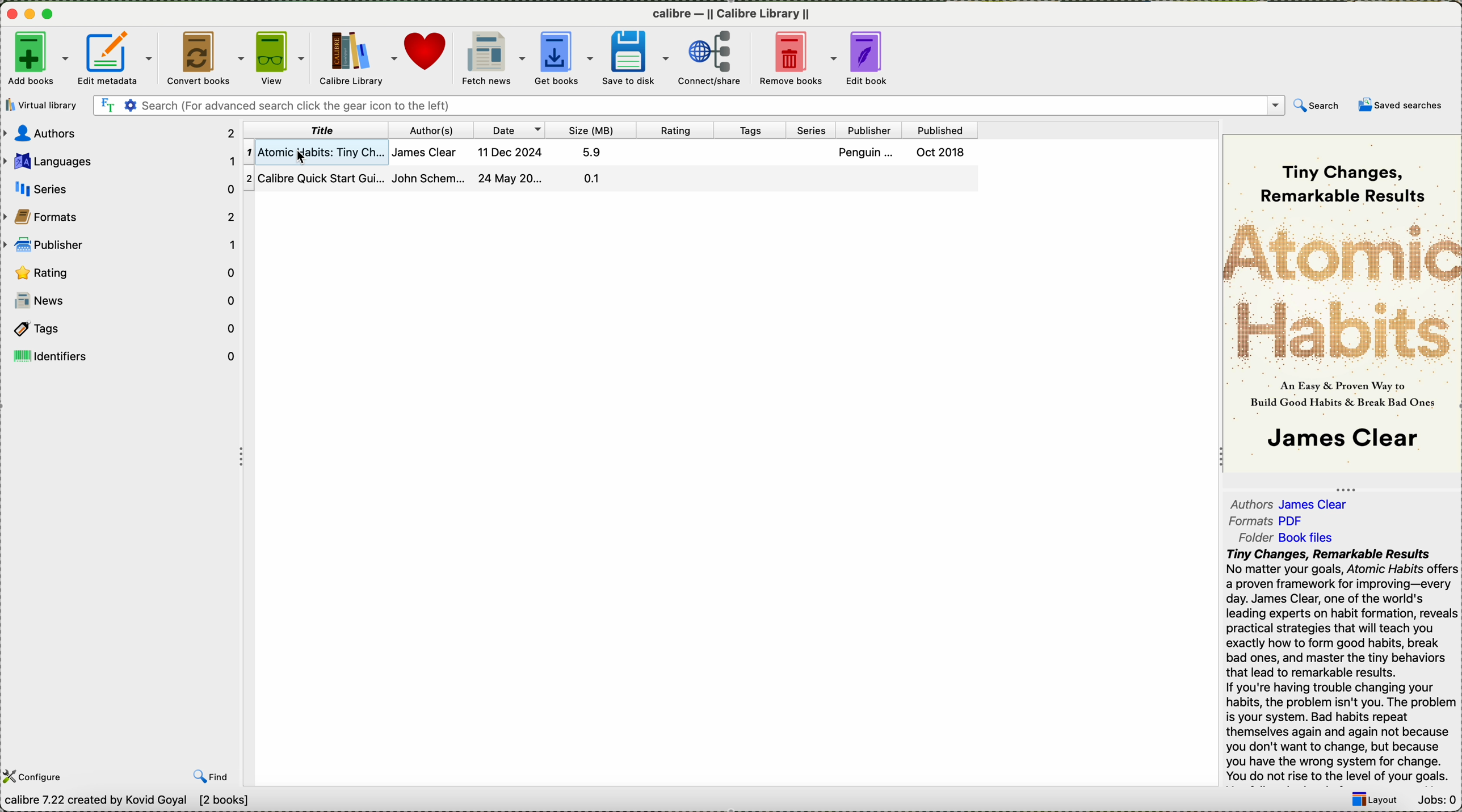 The height and width of the screenshot is (812, 1462). I want to click on add books, so click(35, 58).